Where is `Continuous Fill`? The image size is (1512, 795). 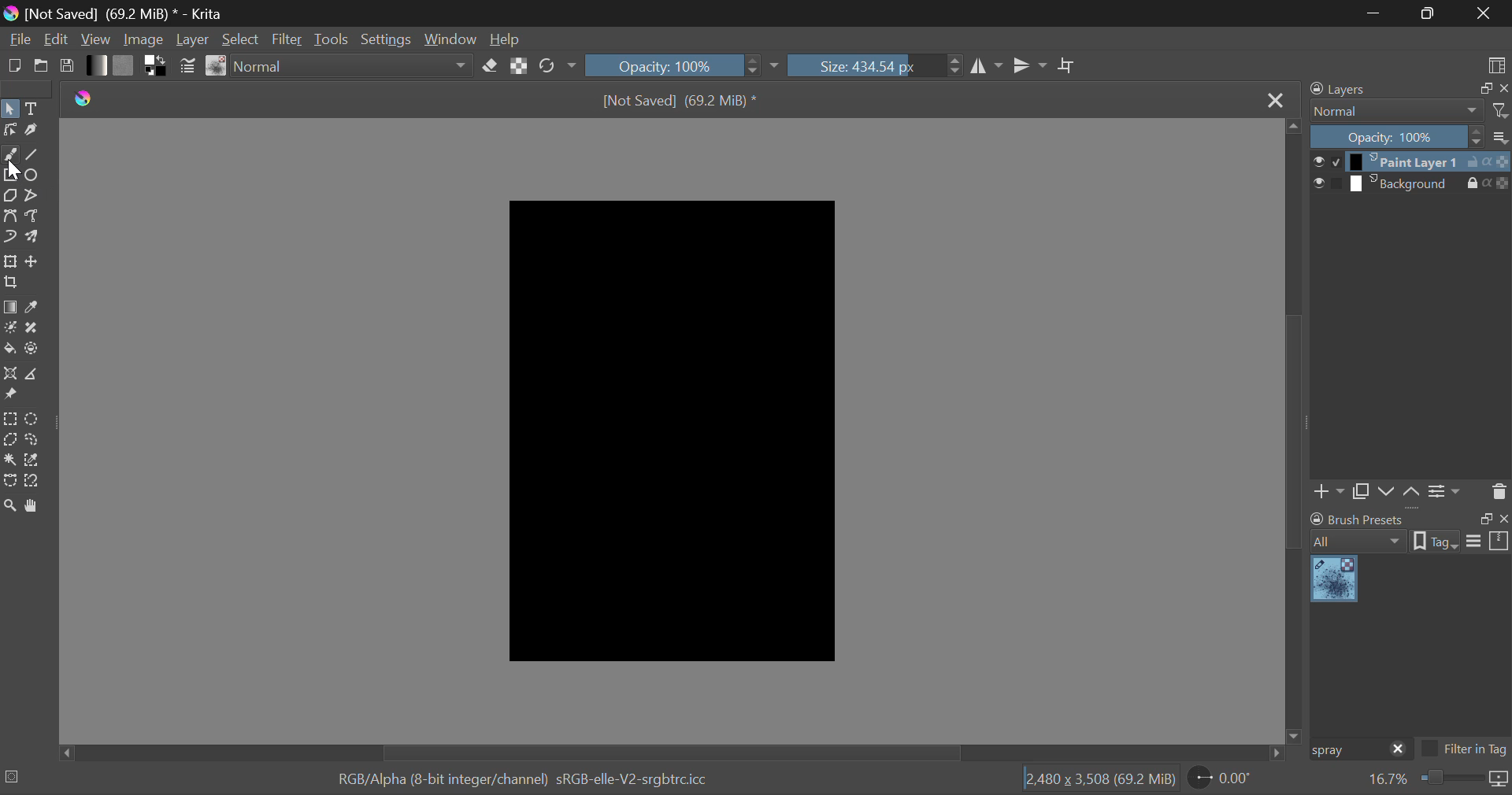 Continuous Fill is located at coordinates (9, 458).